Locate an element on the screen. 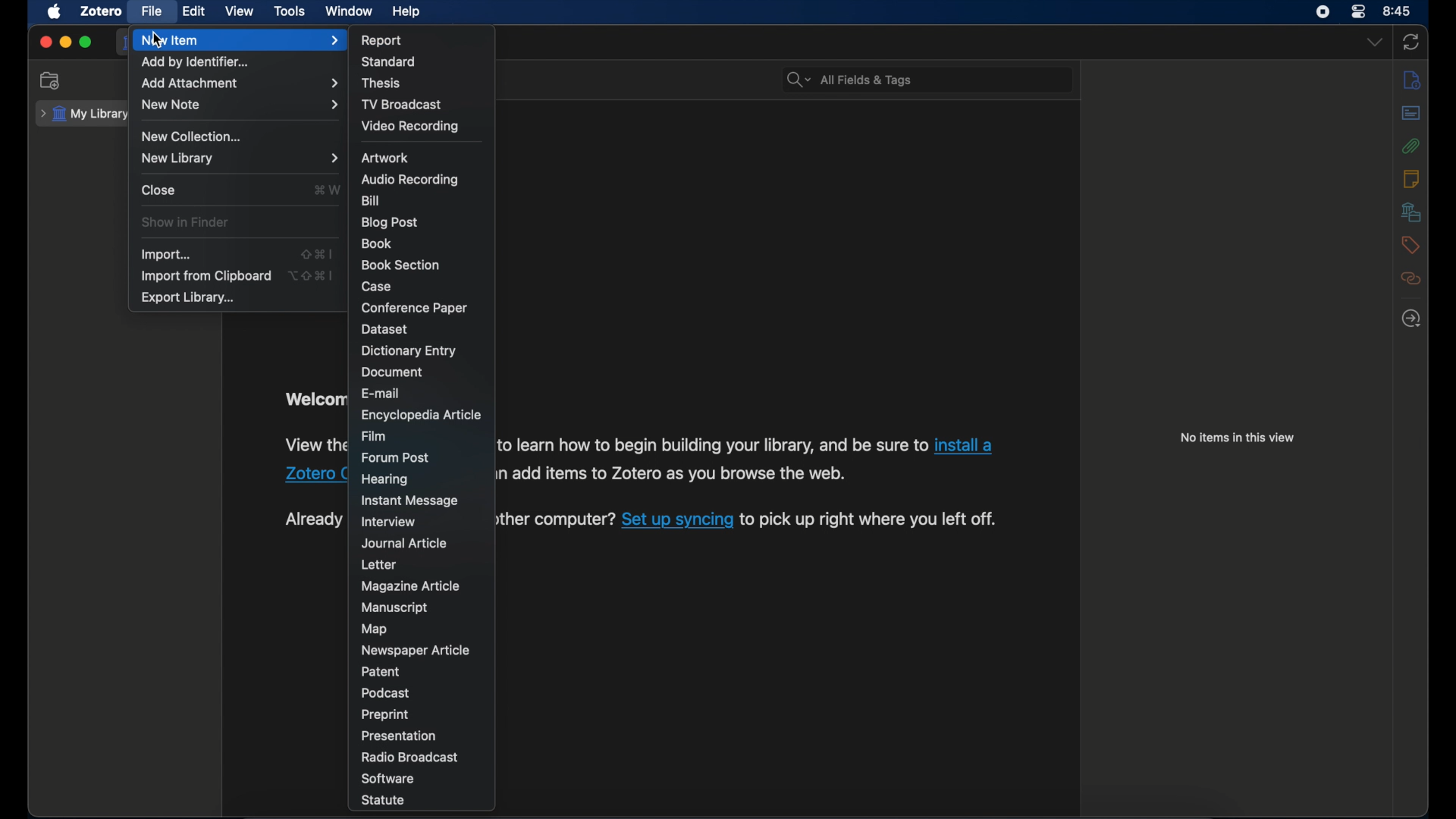 This screenshot has width=1456, height=819. standard is located at coordinates (392, 61).